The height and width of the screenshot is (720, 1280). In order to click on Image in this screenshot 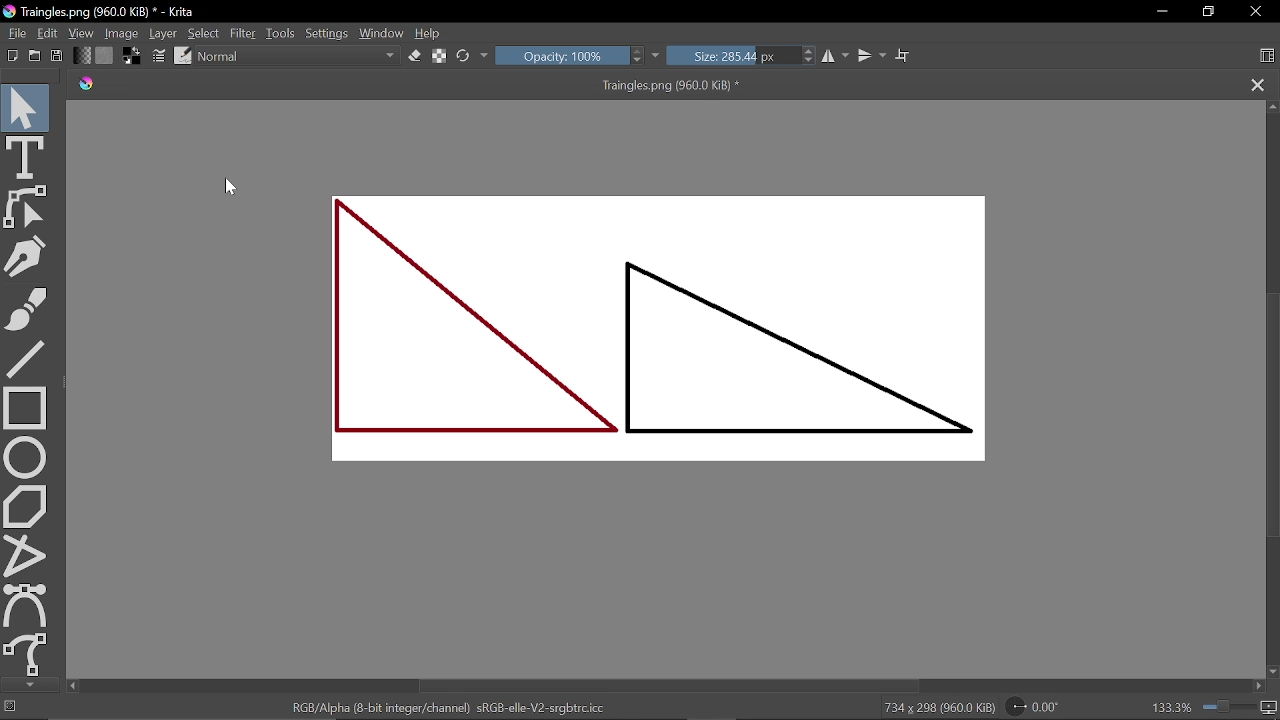, I will do `click(121, 35)`.